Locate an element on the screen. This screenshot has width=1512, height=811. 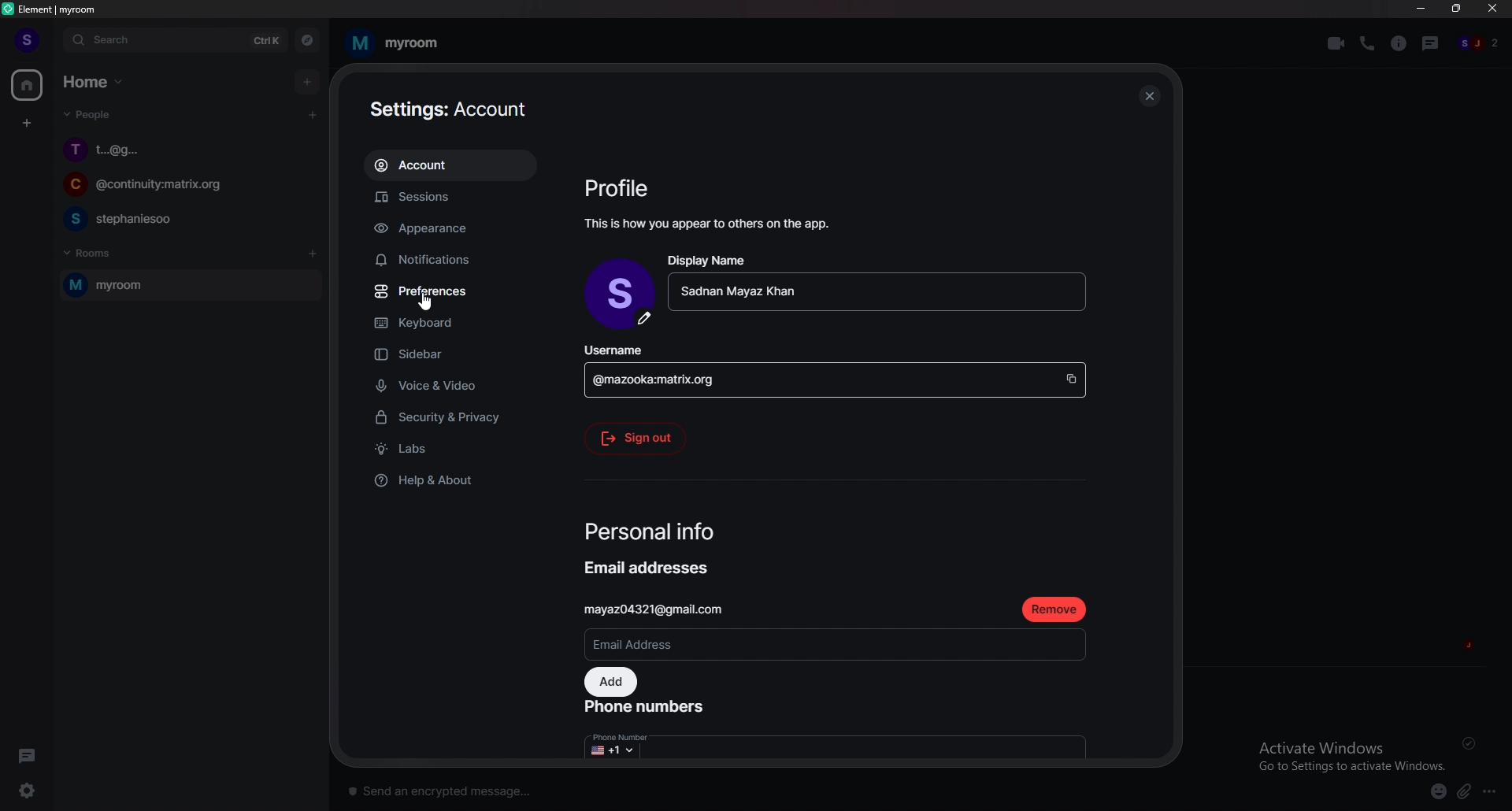
room is located at coordinates (187, 286).